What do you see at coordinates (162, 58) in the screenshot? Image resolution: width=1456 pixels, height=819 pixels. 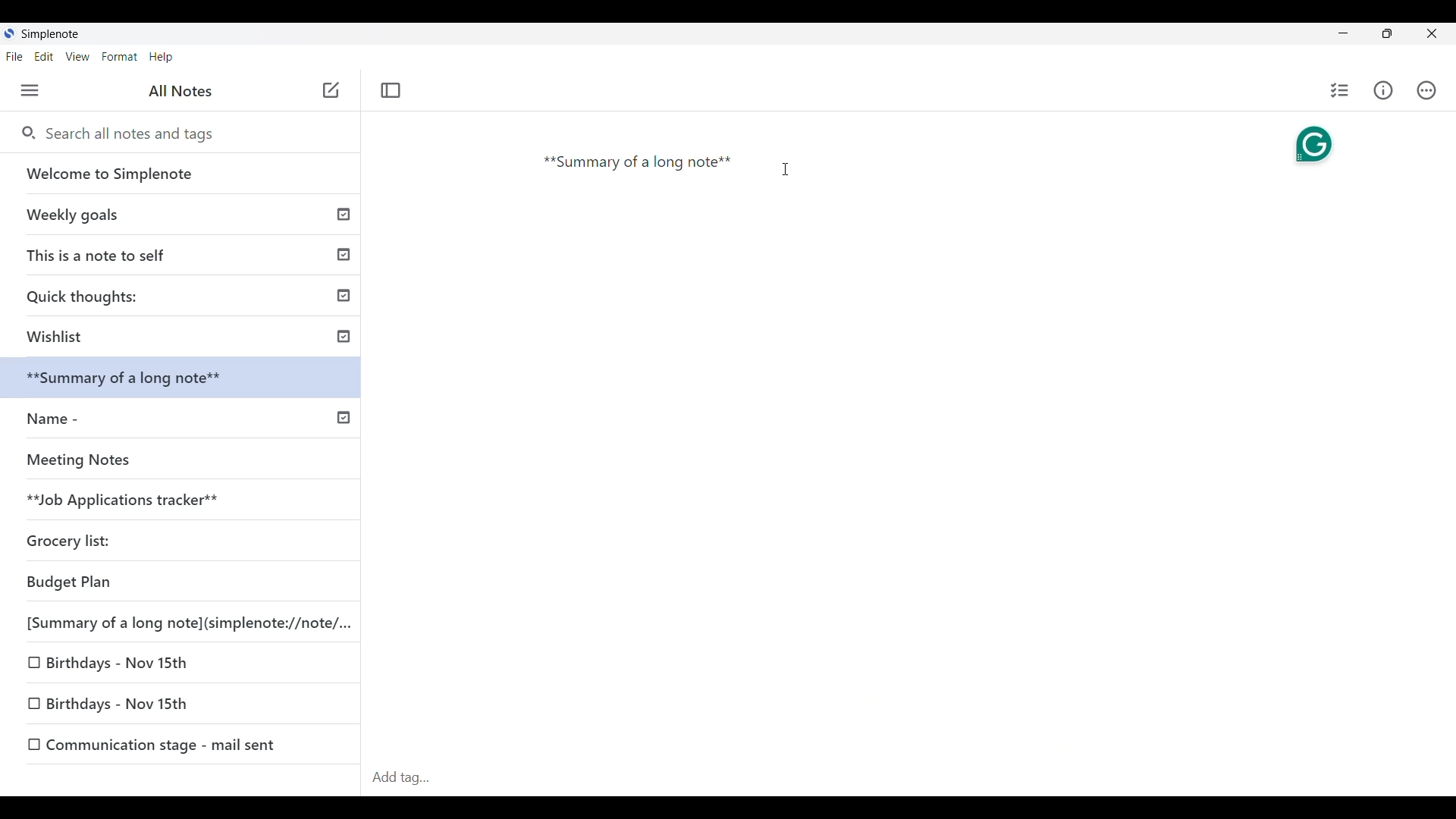 I see `Help` at bounding box center [162, 58].